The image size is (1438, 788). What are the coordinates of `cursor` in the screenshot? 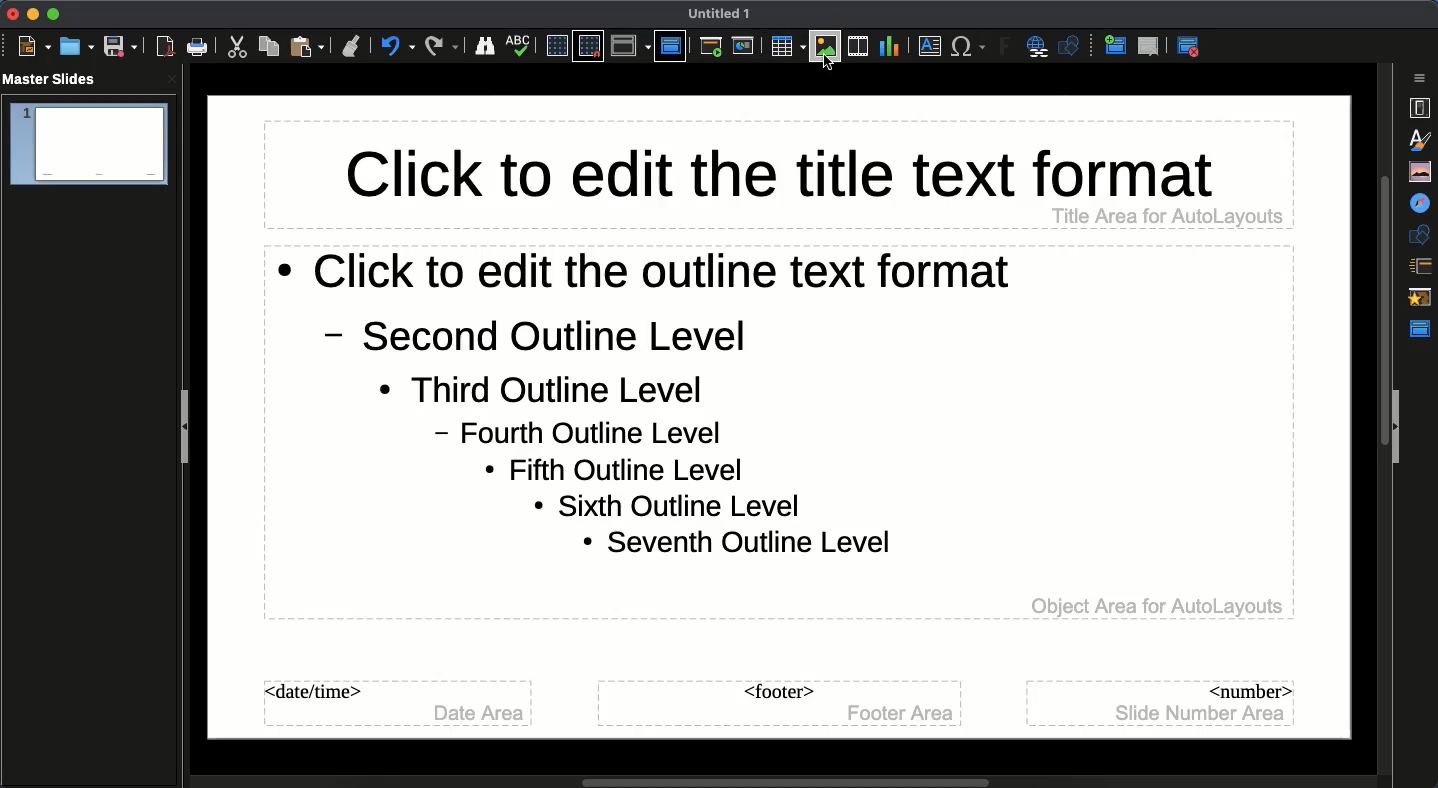 It's located at (827, 68).